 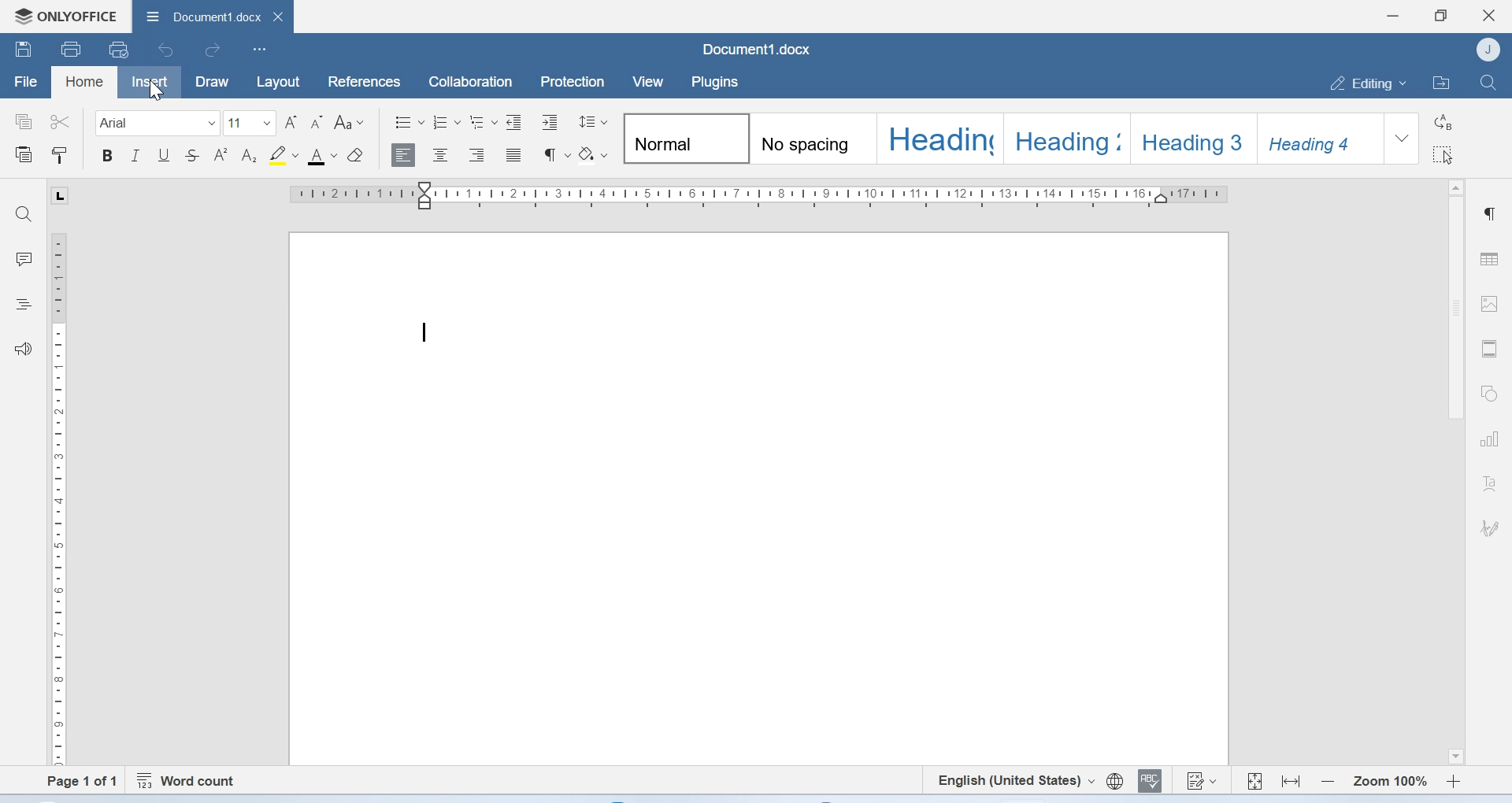 I want to click on Align center, so click(x=441, y=155).